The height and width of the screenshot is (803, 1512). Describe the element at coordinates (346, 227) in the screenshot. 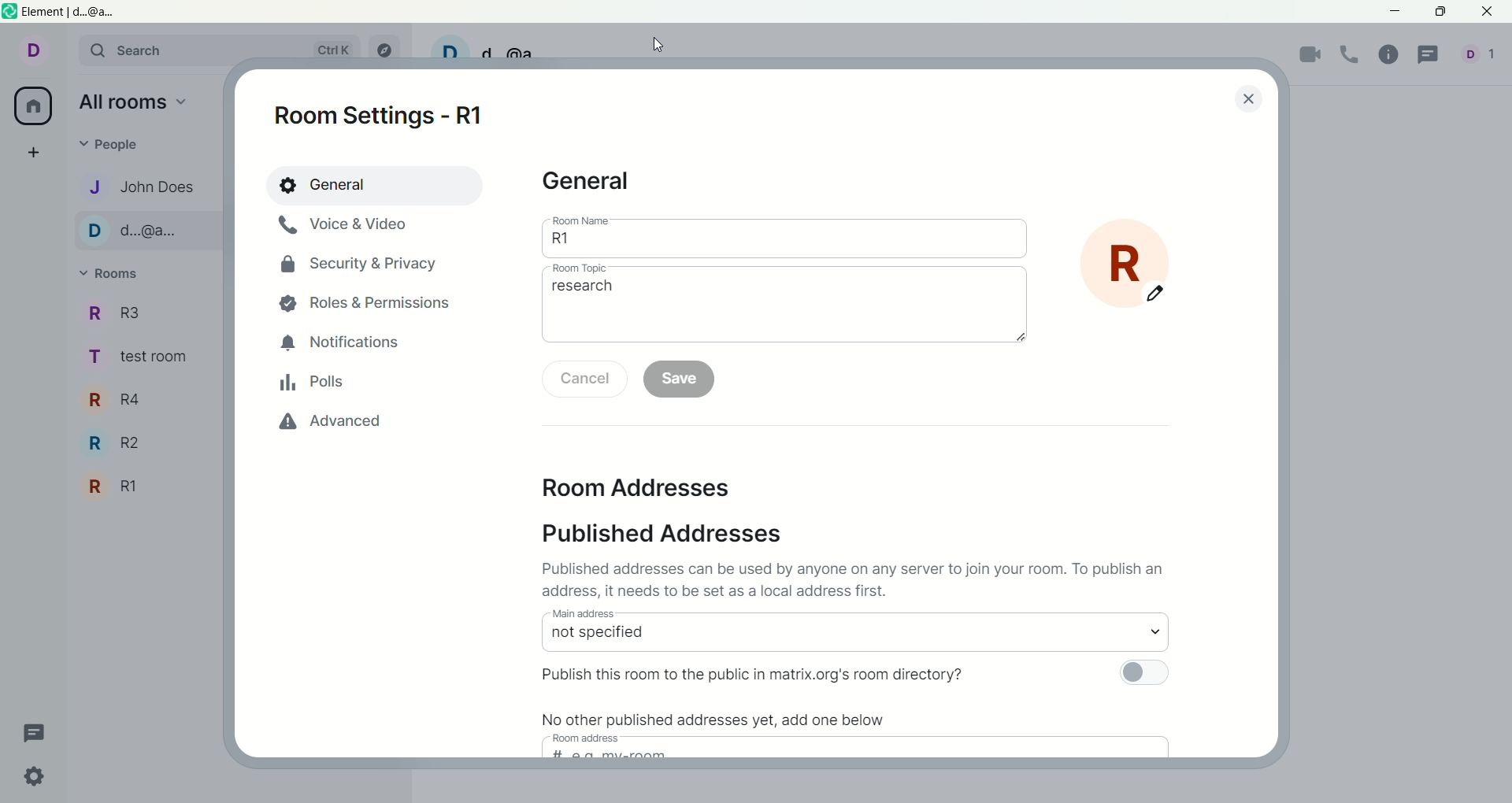

I see `voice and video` at that location.